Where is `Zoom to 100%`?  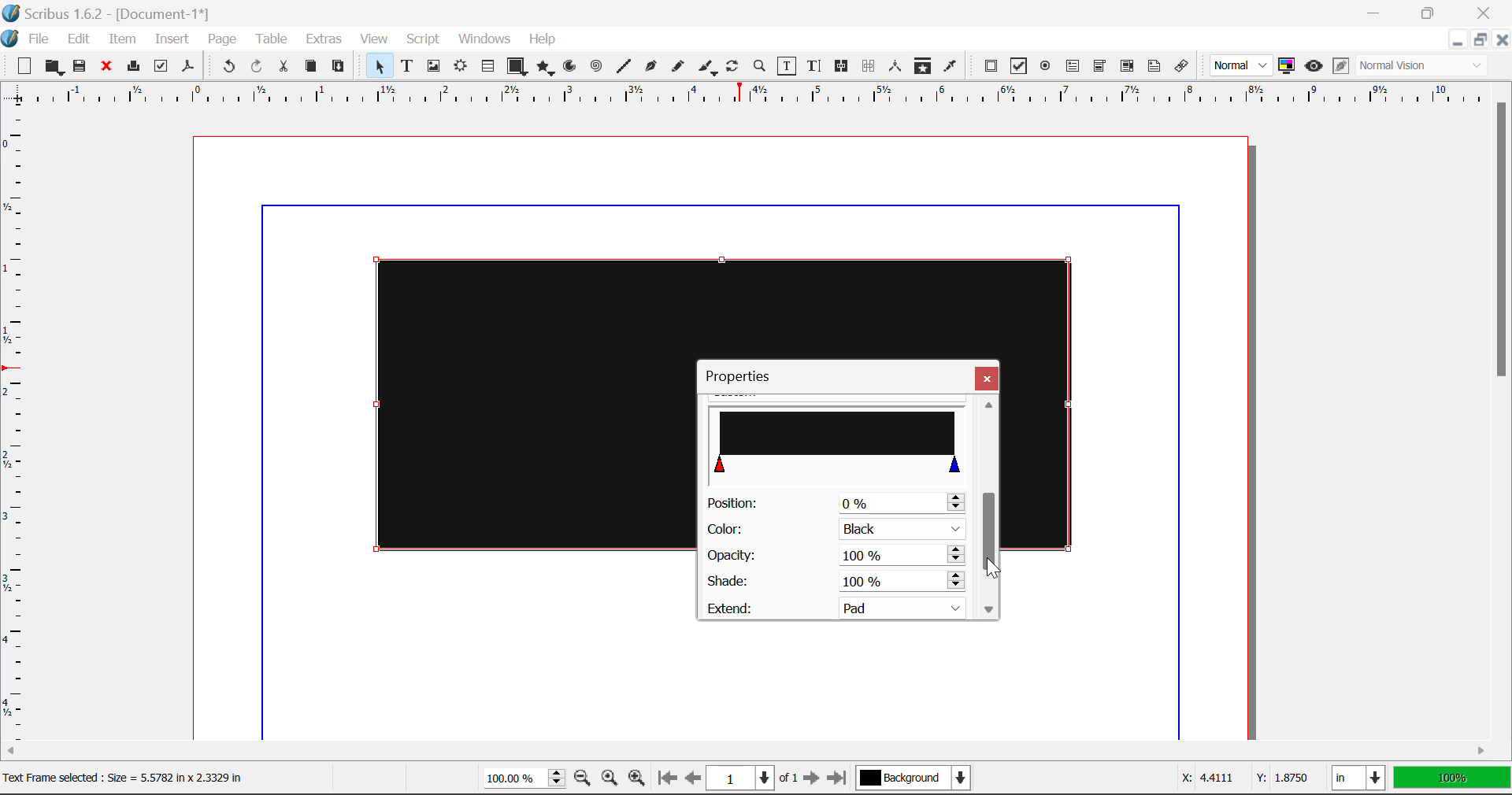 Zoom to 100% is located at coordinates (610, 780).